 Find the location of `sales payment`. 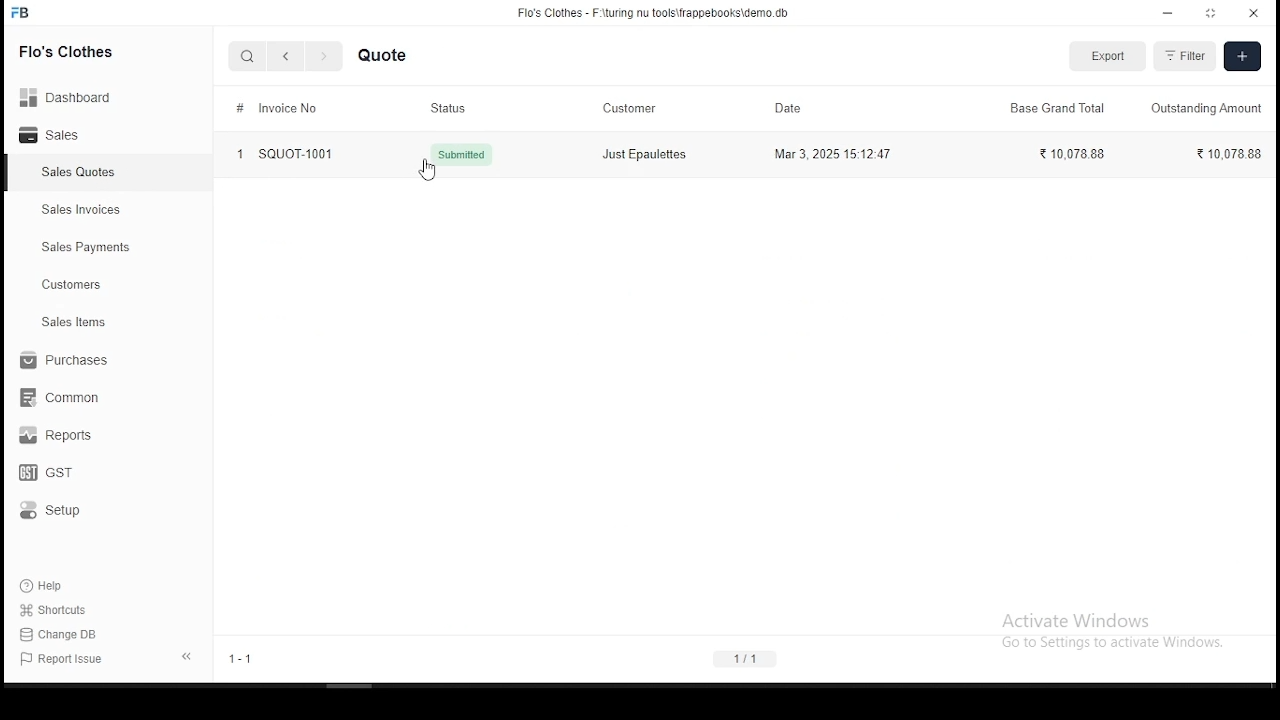

sales payment is located at coordinates (81, 247).